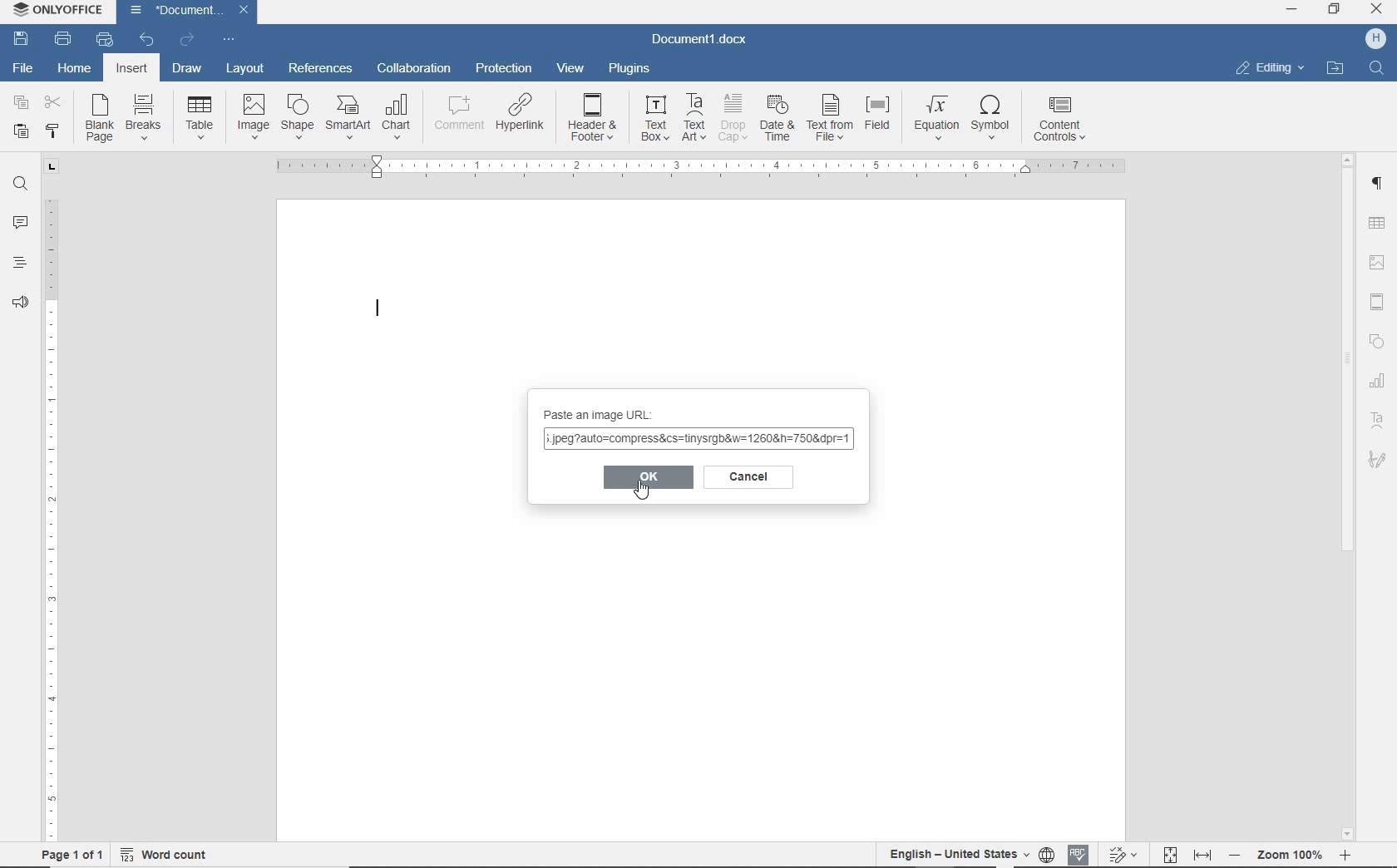 This screenshot has width=1397, height=868. Describe the element at coordinates (1380, 221) in the screenshot. I see `table` at that location.